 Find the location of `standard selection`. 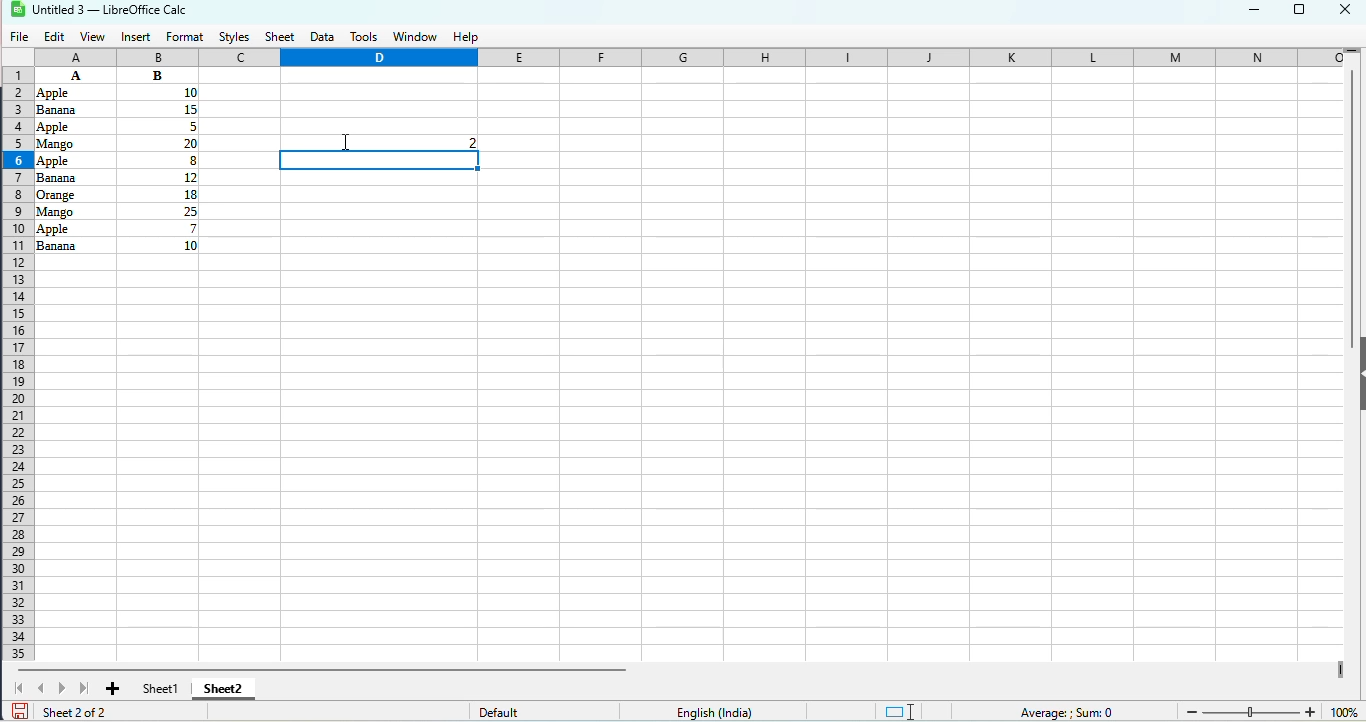

standard selection is located at coordinates (900, 712).